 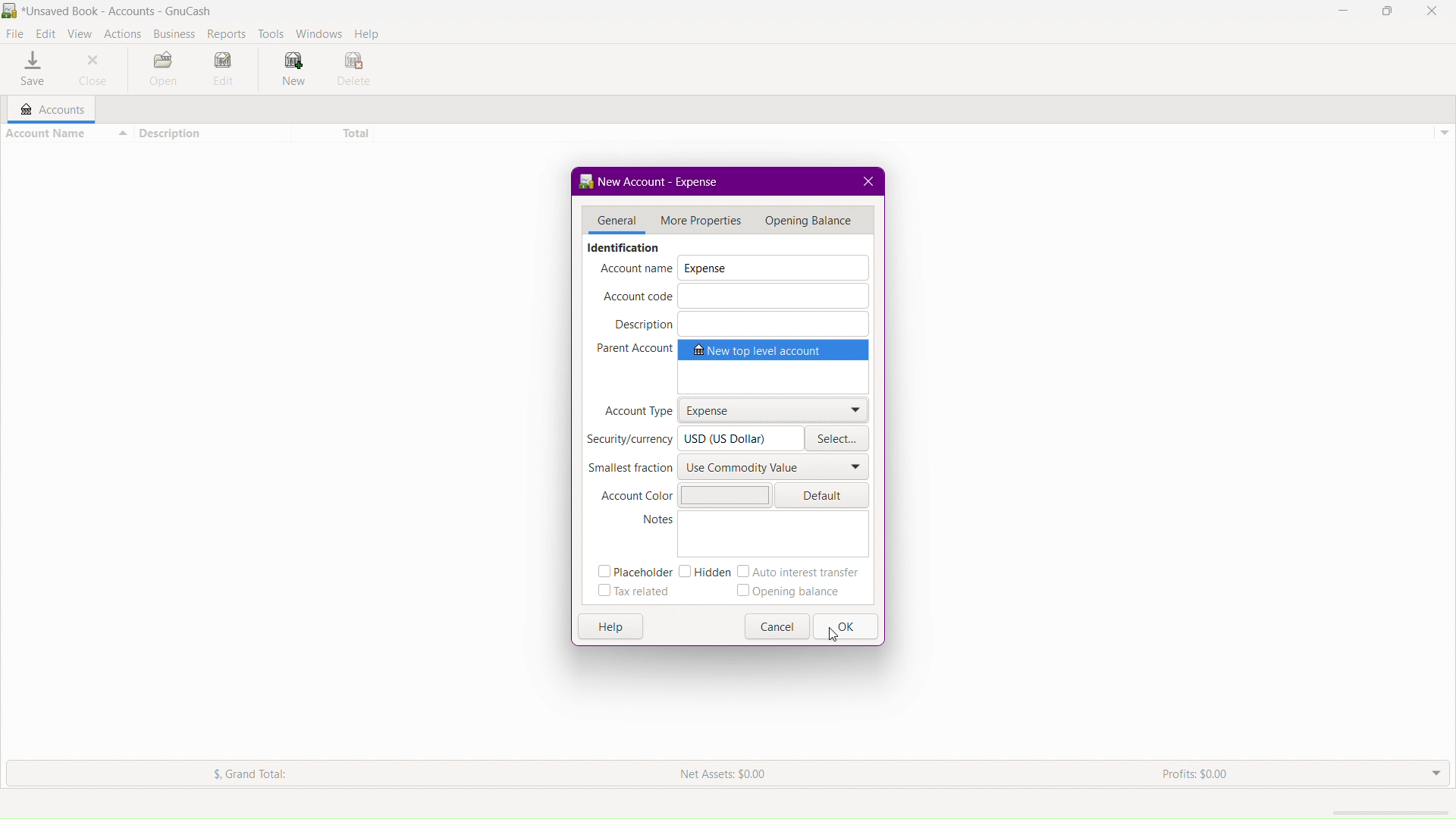 I want to click on BR *Unsaved Book - Accounts - GnuCash, so click(x=113, y=10).